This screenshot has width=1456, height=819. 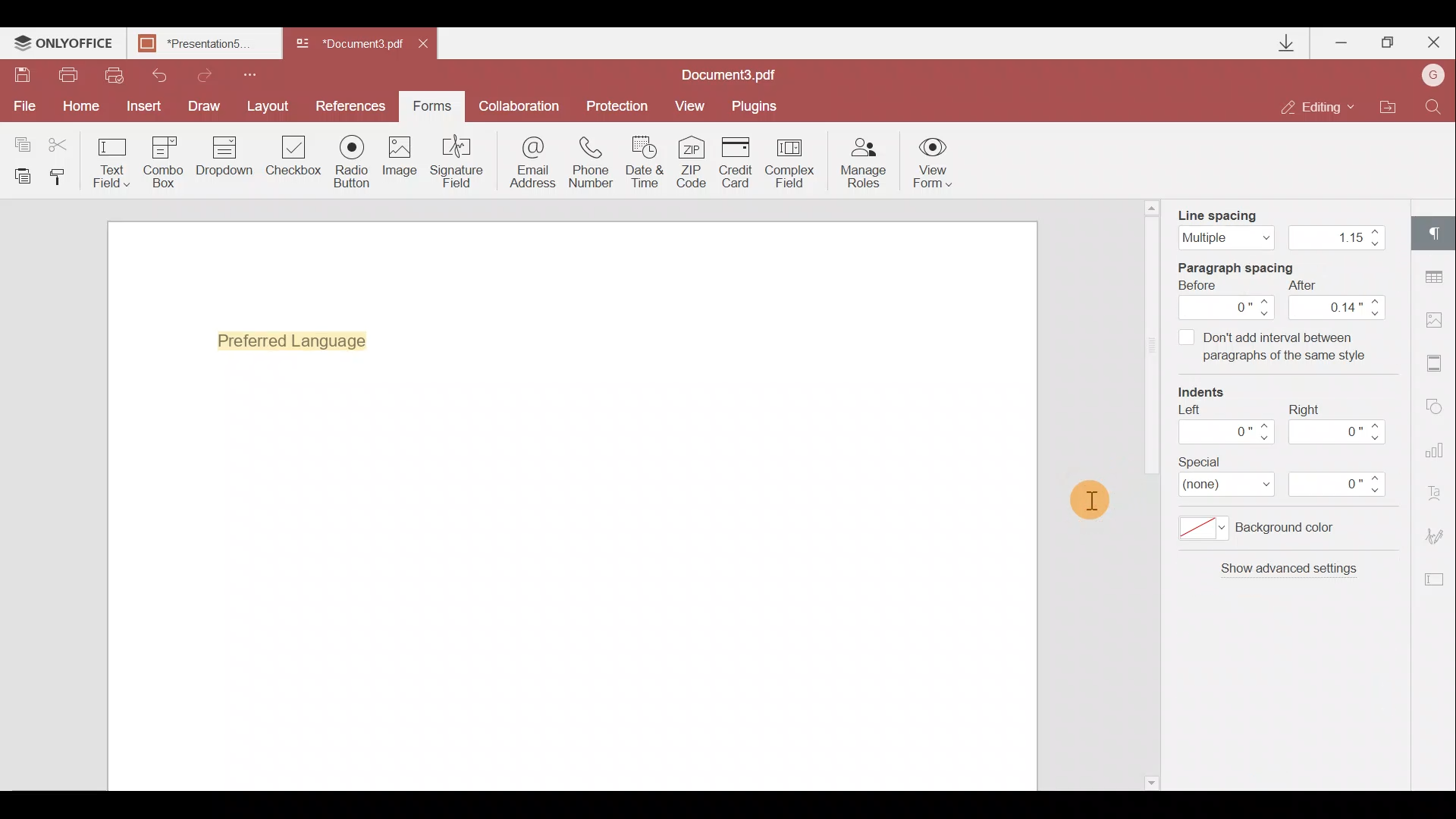 What do you see at coordinates (615, 105) in the screenshot?
I see `Protection` at bounding box center [615, 105].